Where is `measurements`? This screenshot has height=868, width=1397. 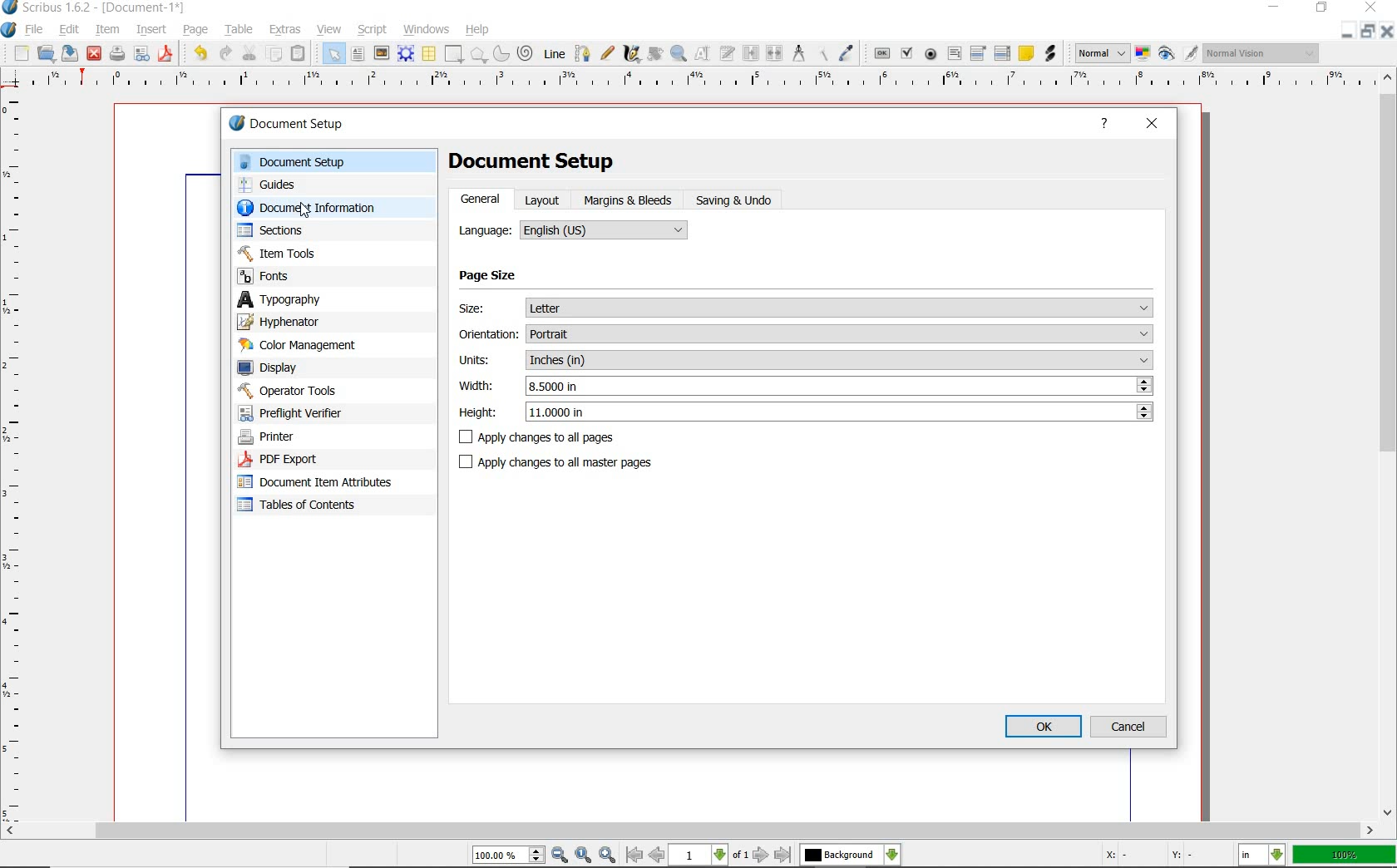 measurements is located at coordinates (797, 53).